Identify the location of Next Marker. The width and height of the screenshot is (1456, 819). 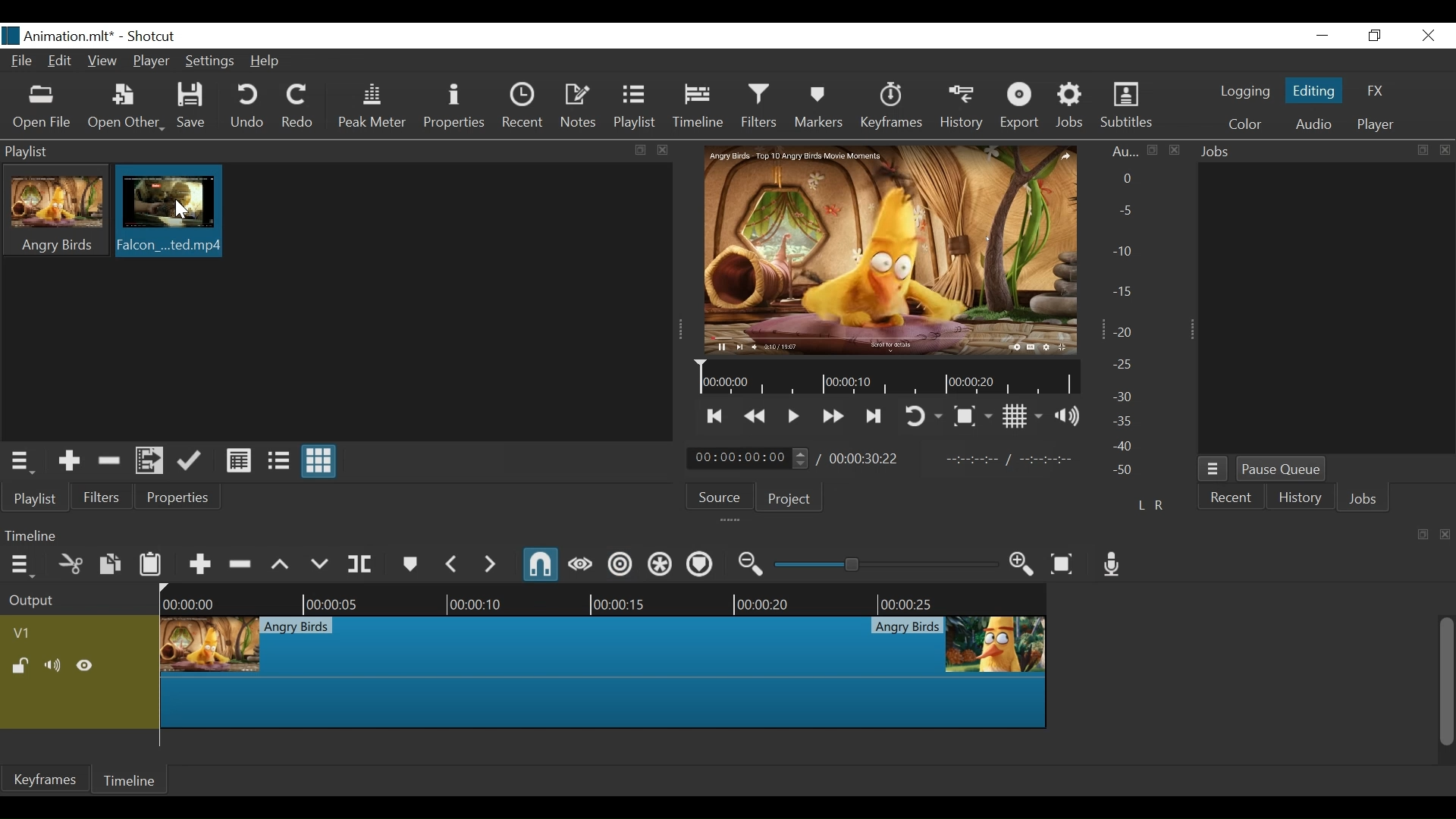
(489, 563).